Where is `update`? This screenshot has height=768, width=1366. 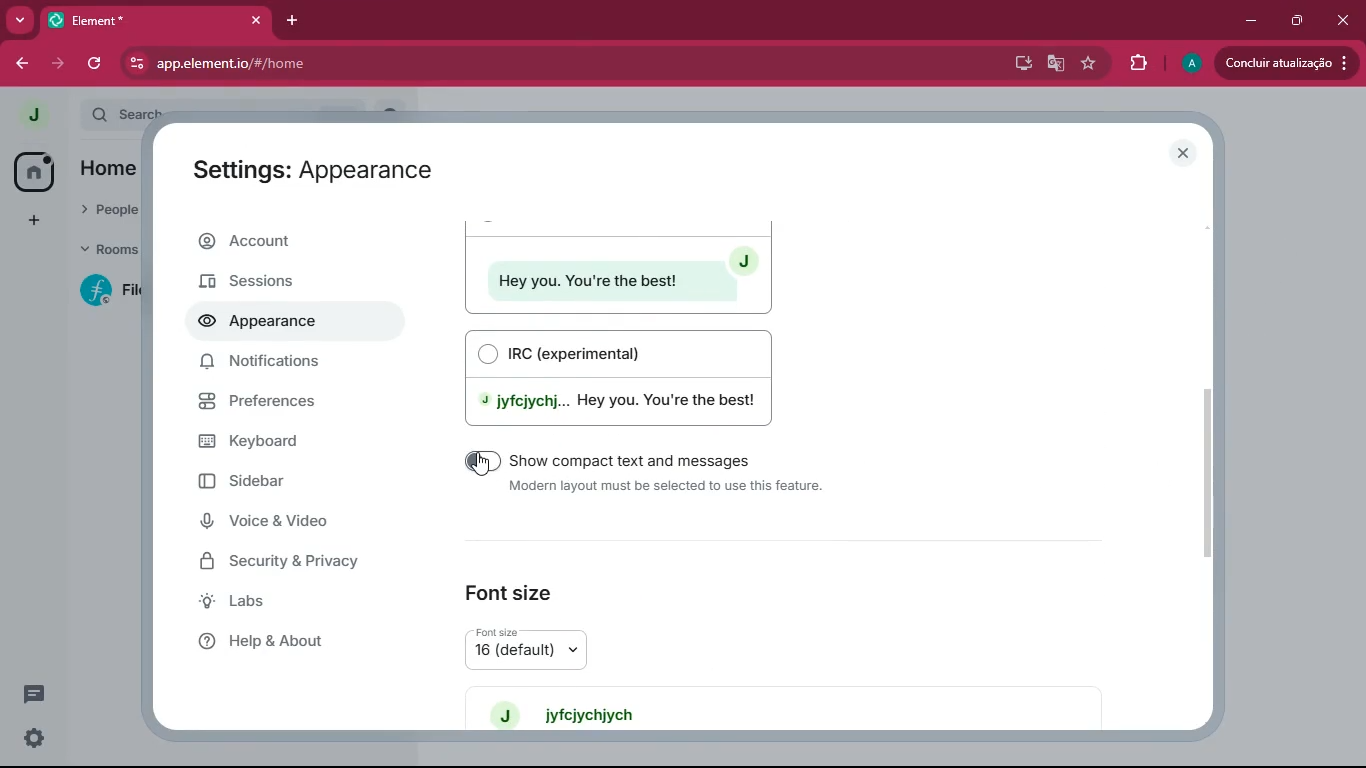
update is located at coordinates (1286, 63).